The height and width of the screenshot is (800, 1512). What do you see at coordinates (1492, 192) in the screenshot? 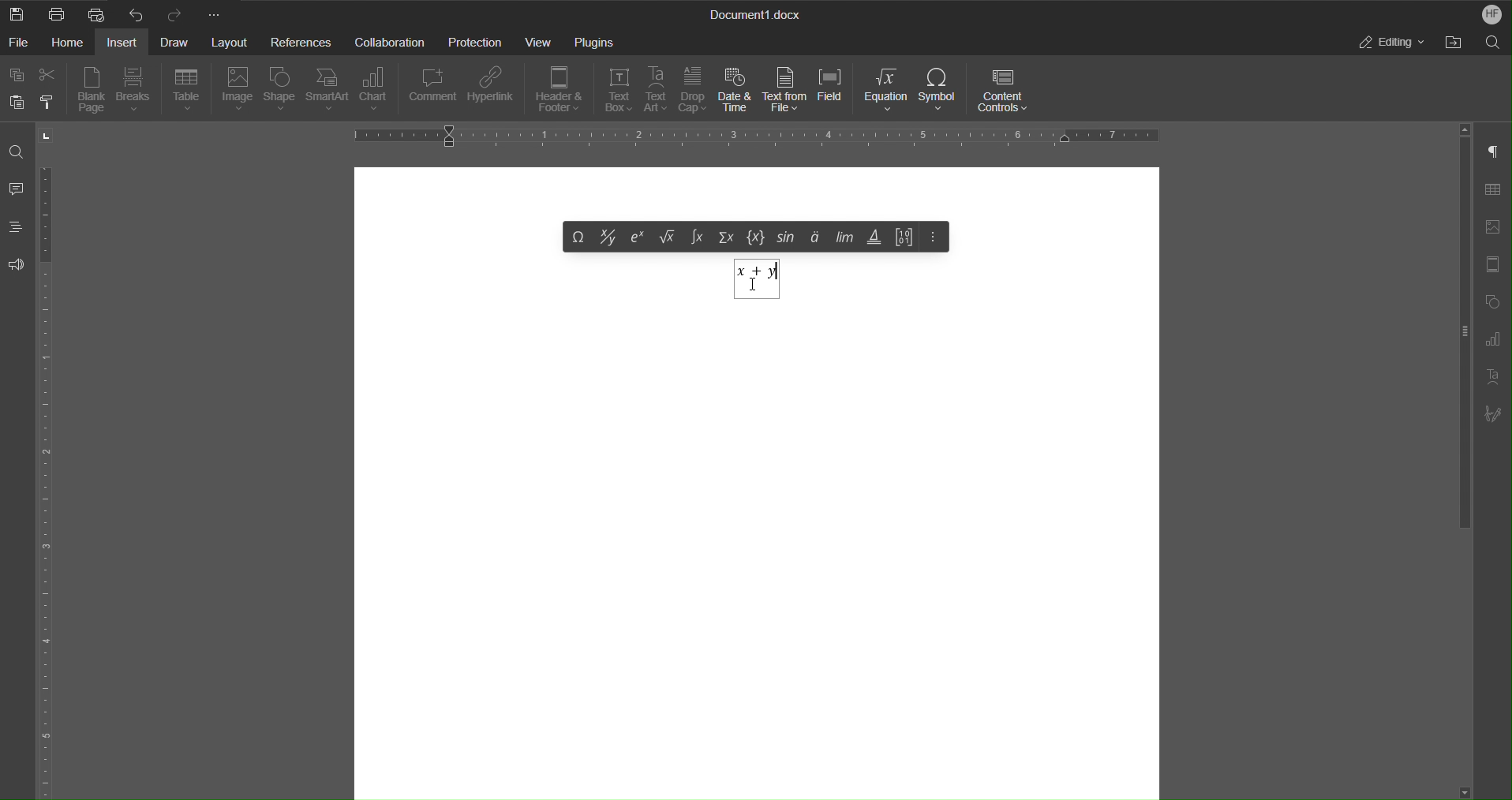
I see `Table` at bounding box center [1492, 192].